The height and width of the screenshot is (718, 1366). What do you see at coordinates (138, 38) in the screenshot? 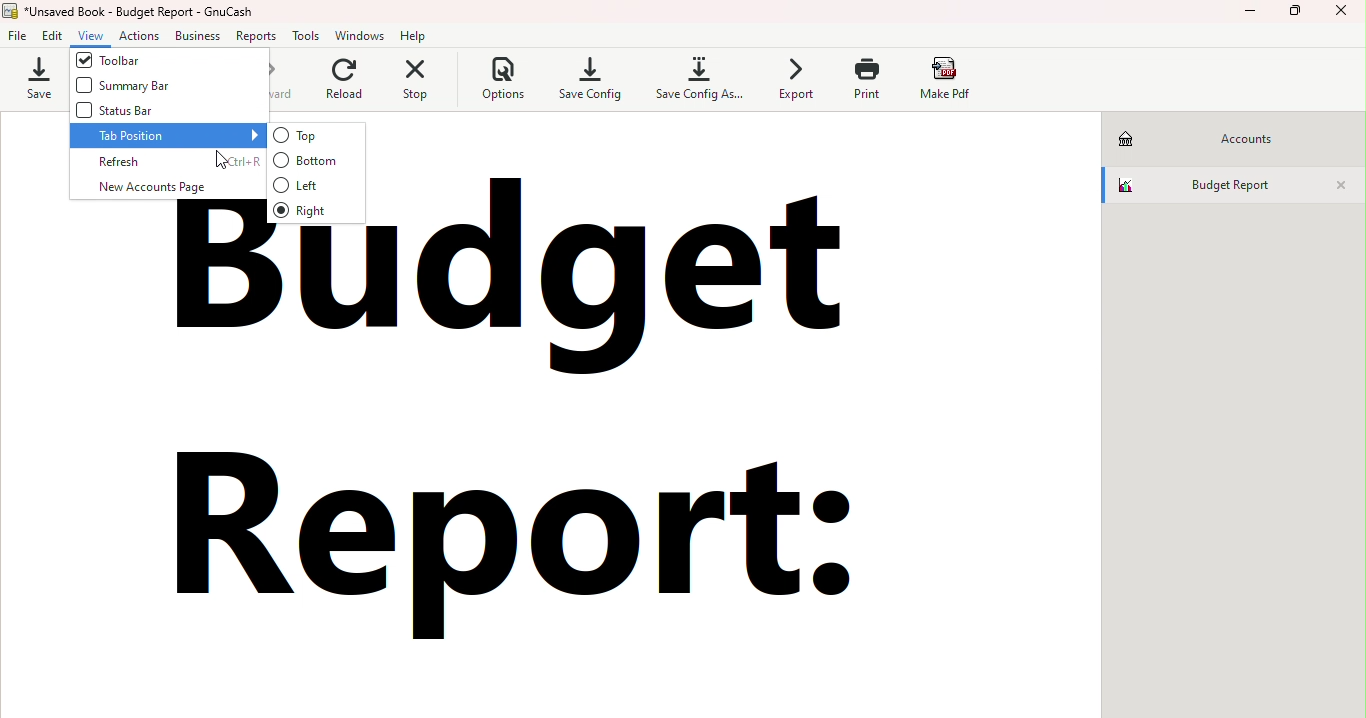
I see `Actions` at bounding box center [138, 38].